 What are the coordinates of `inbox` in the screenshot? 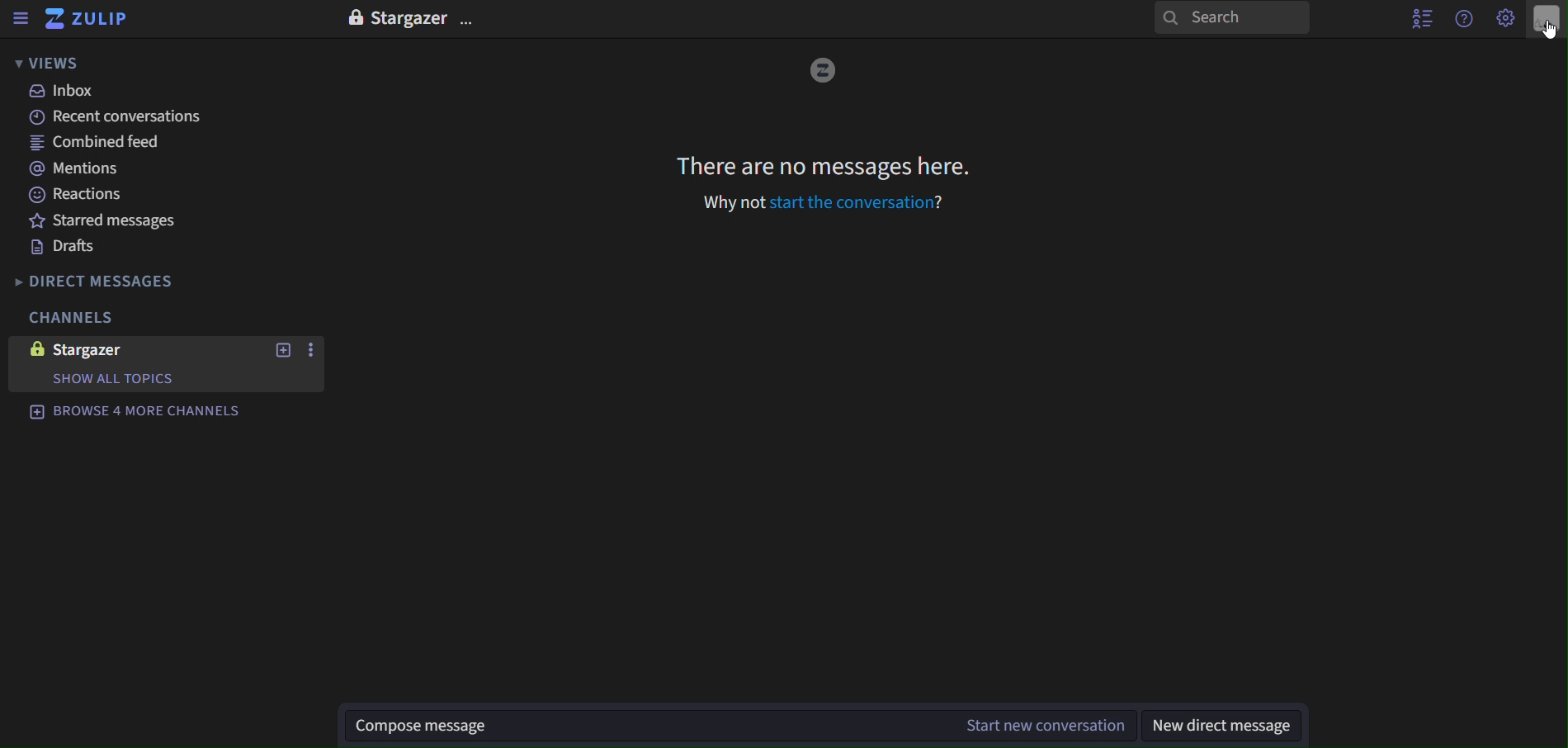 It's located at (65, 93).